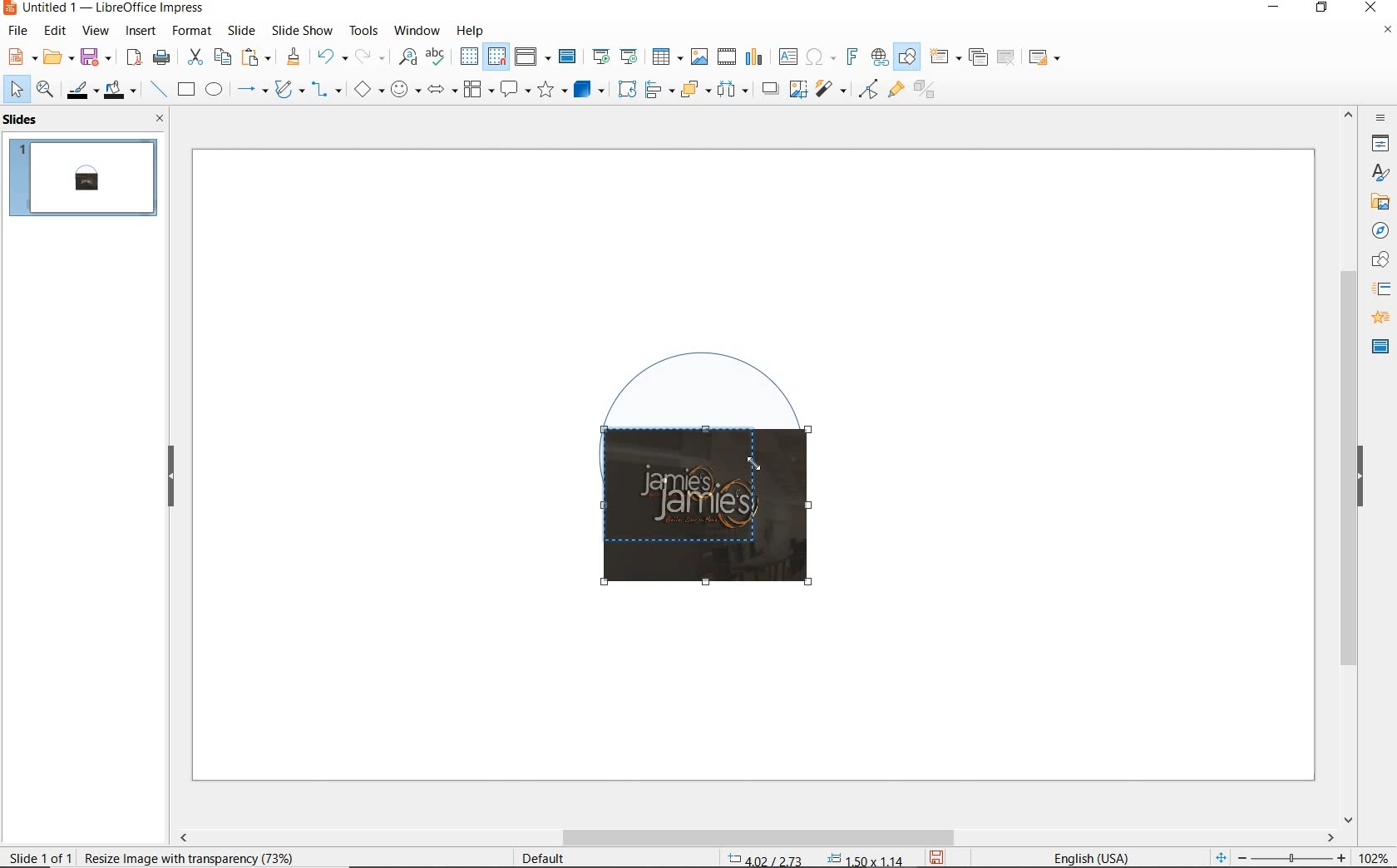 Image resolution: width=1397 pixels, height=868 pixels. I want to click on block arrows, so click(439, 91).